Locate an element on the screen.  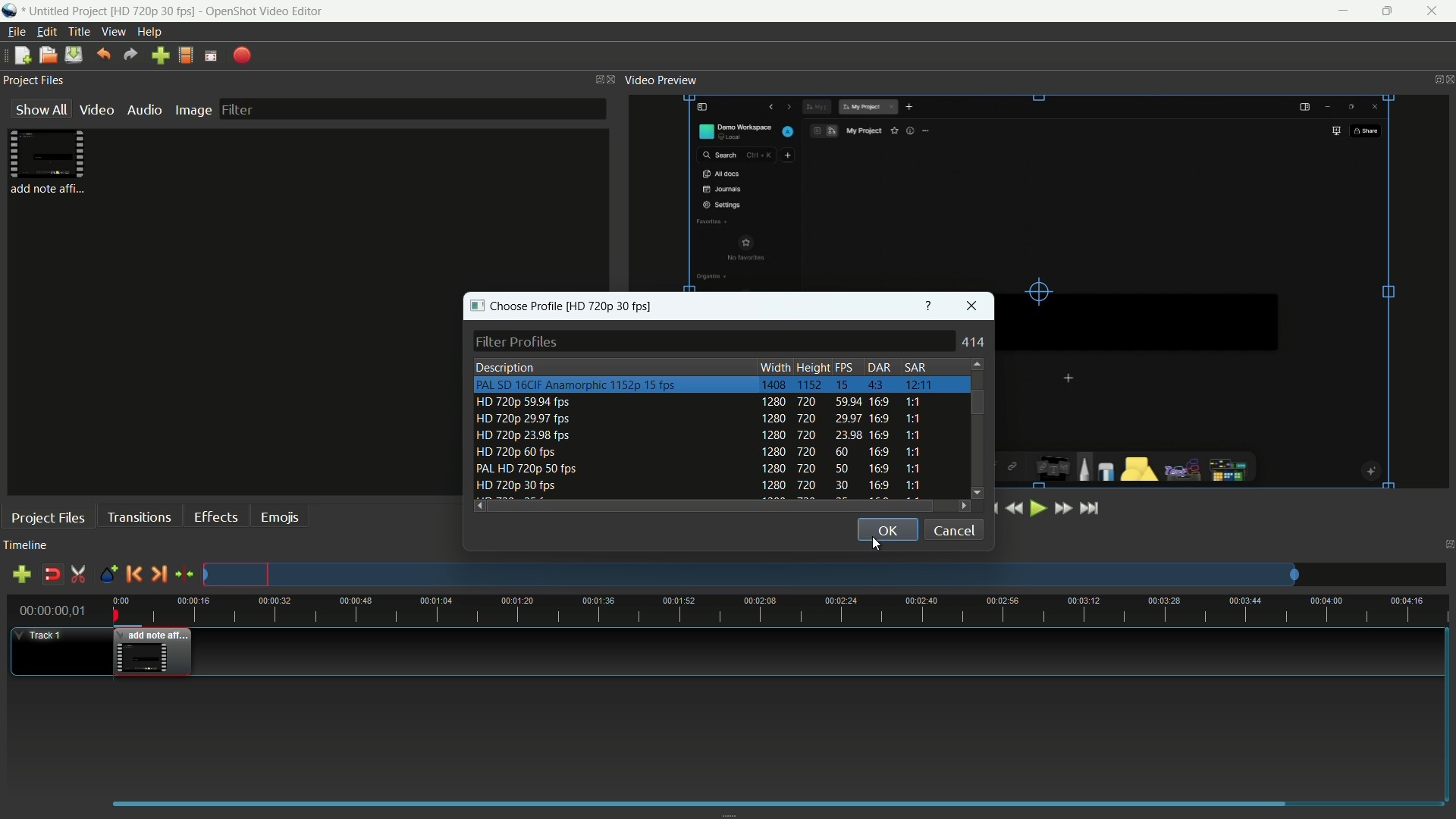
profile-6 is located at coordinates (702, 469).